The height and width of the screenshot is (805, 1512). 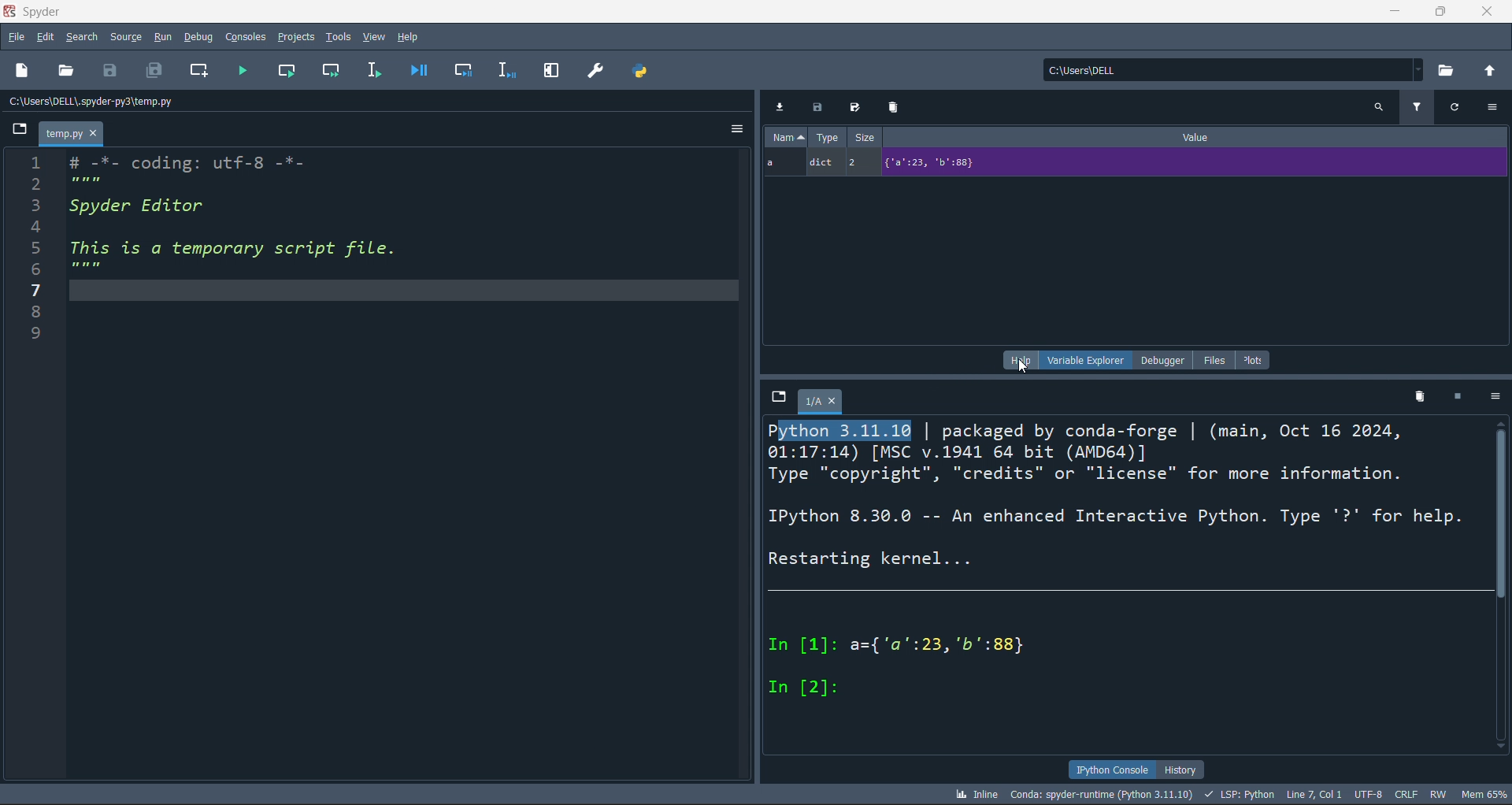 What do you see at coordinates (974, 793) in the screenshot?
I see `inline` at bounding box center [974, 793].